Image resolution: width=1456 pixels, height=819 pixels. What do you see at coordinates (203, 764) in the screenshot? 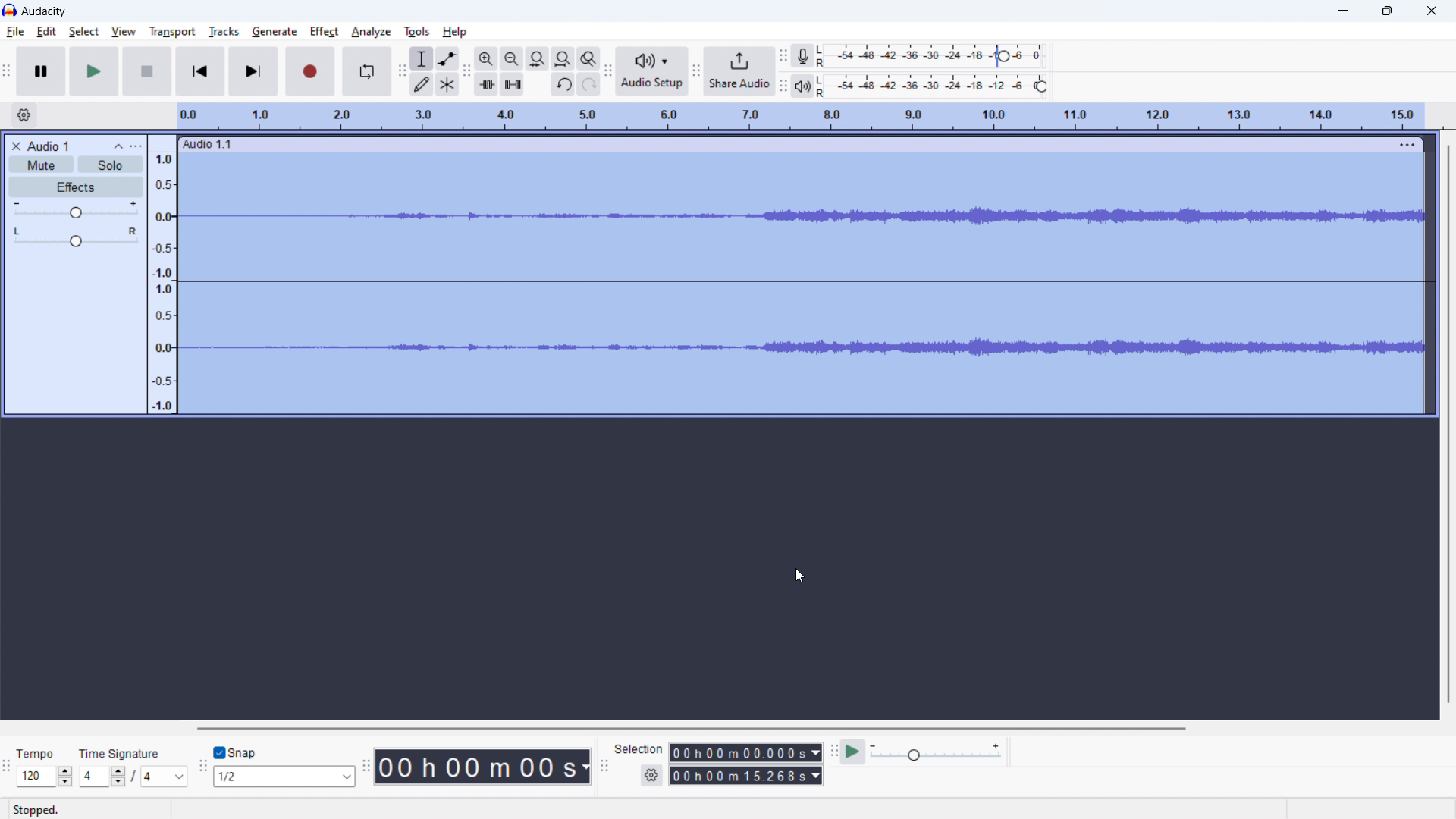
I see `snapping toolbar` at bounding box center [203, 764].